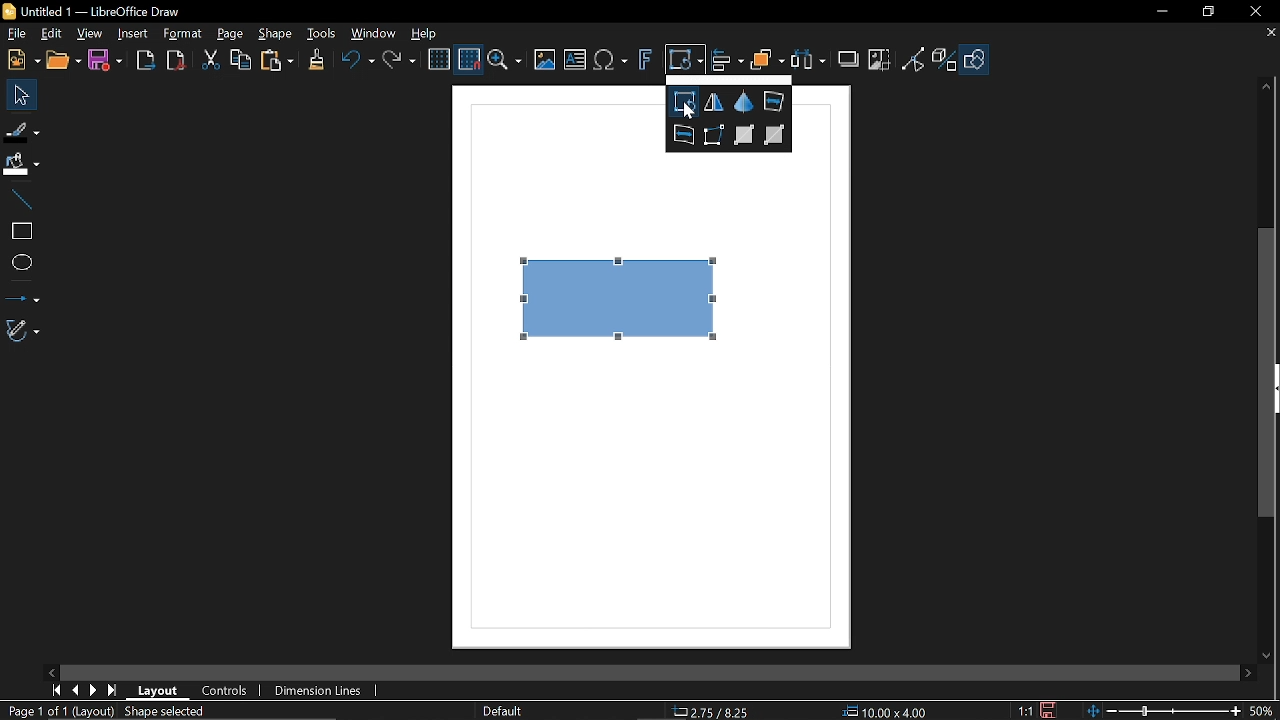 The width and height of the screenshot is (1280, 720). What do you see at coordinates (275, 62) in the screenshot?
I see `Paste` at bounding box center [275, 62].